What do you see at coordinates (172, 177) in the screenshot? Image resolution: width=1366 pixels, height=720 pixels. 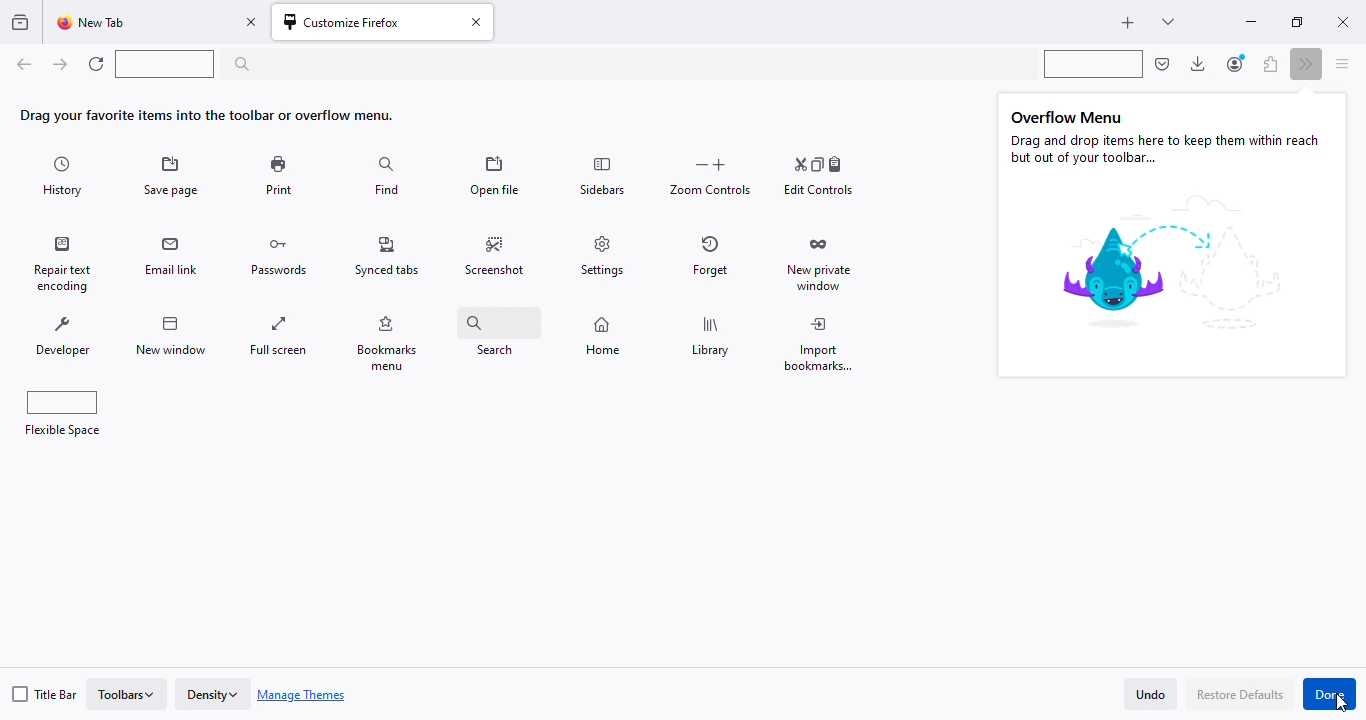 I see `save page` at bounding box center [172, 177].